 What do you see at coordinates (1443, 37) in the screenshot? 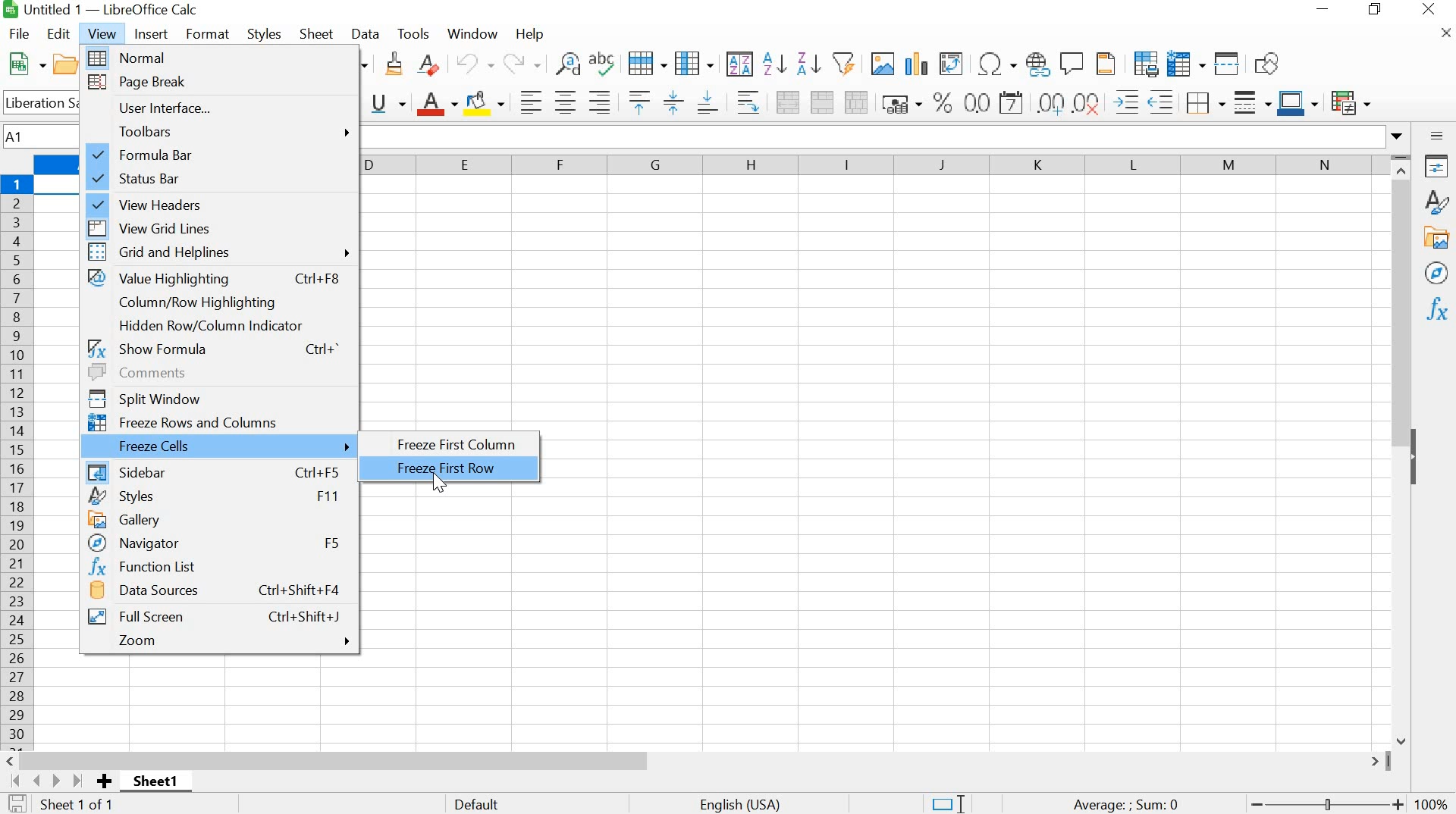
I see `CLOSE` at bounding box center [1443, 37].